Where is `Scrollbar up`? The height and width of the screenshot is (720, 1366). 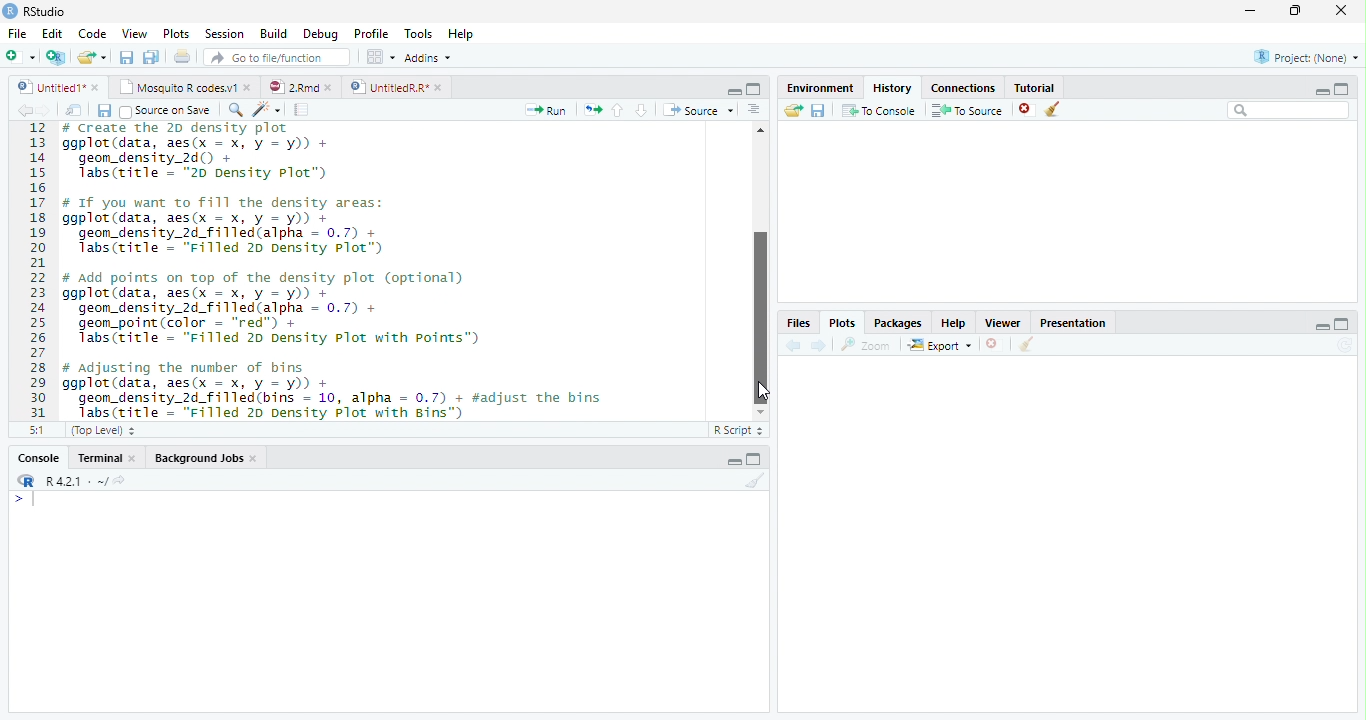 Scrollbar up is located at coordinates (758, 130).